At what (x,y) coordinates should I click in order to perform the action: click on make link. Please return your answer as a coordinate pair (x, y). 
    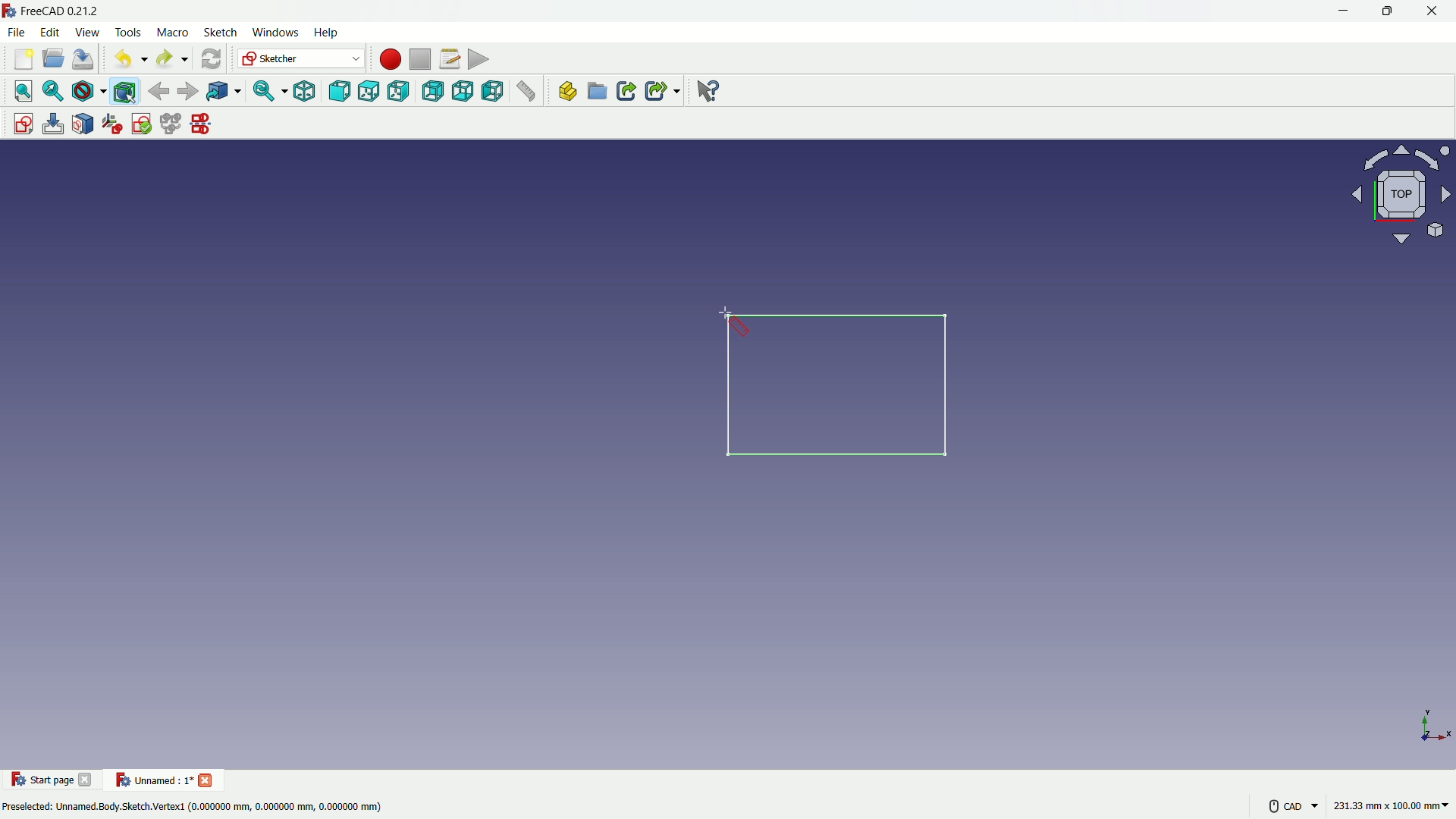
    Looking at the image, I should click on (626, 93).